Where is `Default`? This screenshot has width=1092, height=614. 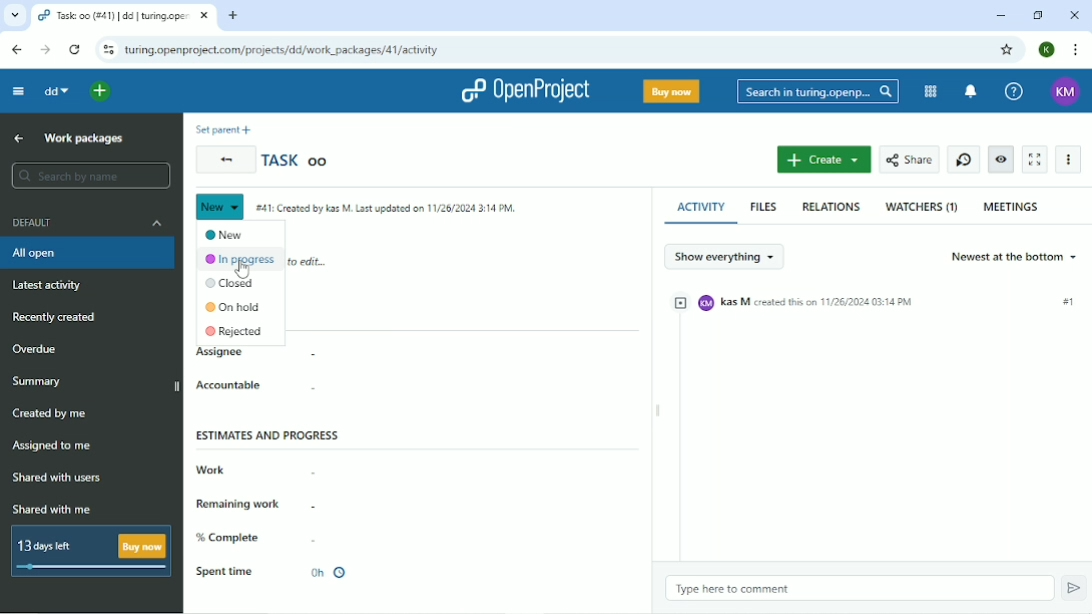
Default is located at coordinates (87, 223).